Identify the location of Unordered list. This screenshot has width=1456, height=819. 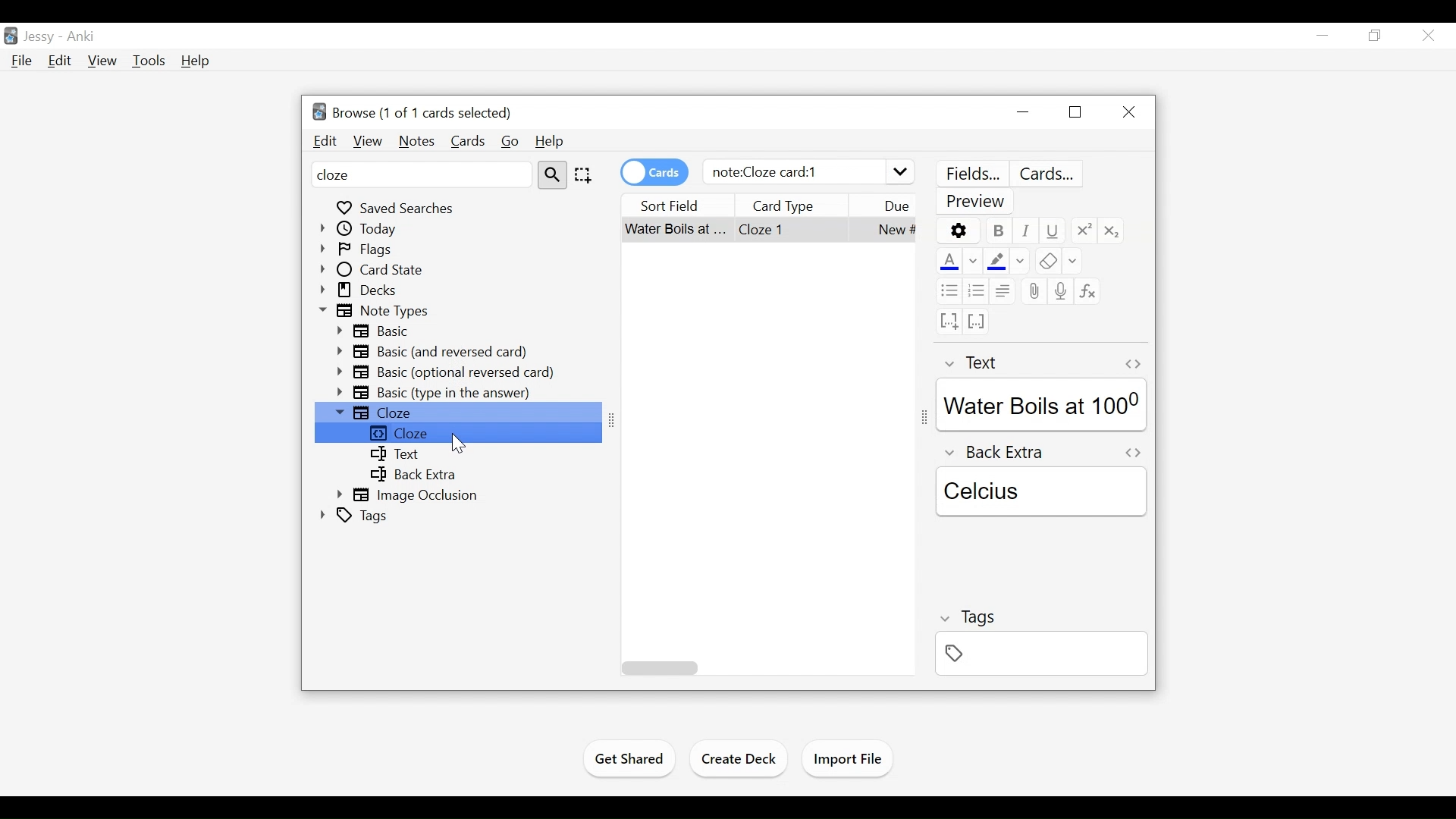
(948, 291).